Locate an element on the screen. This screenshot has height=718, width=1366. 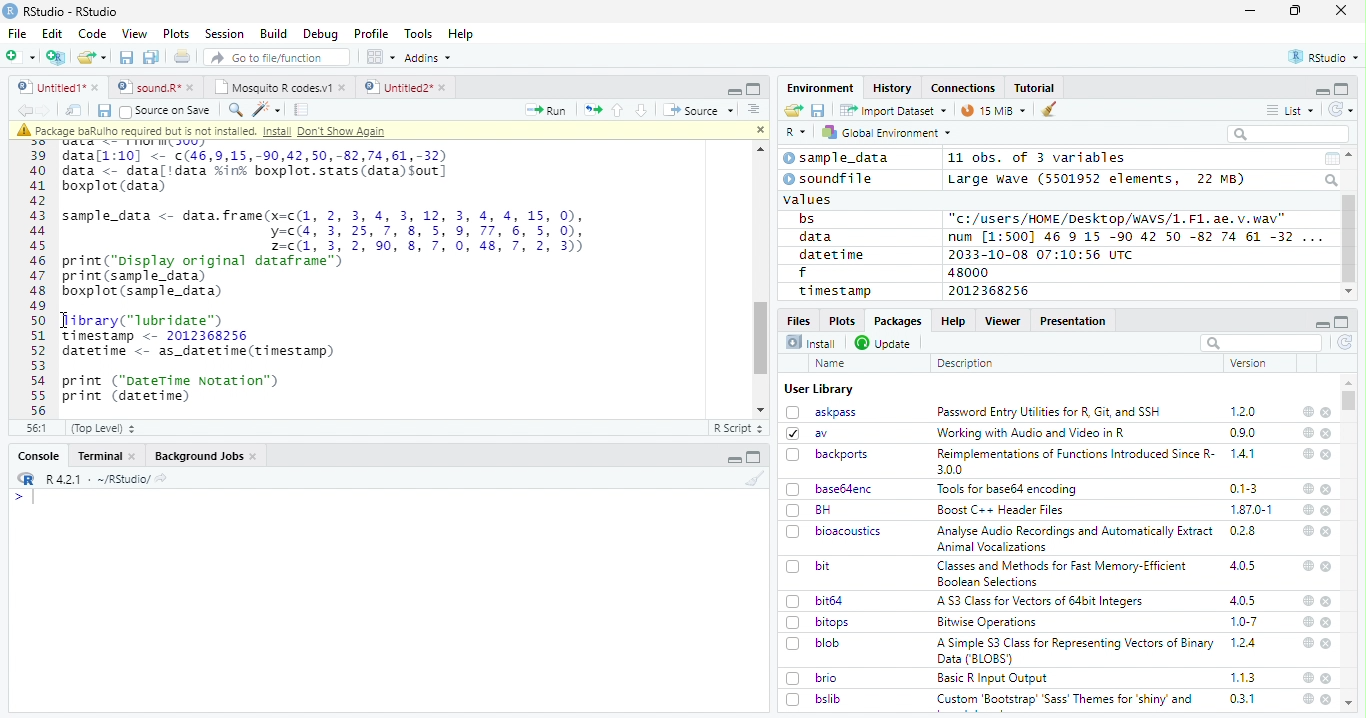
Source on Save is located at coordinates (164, 110).